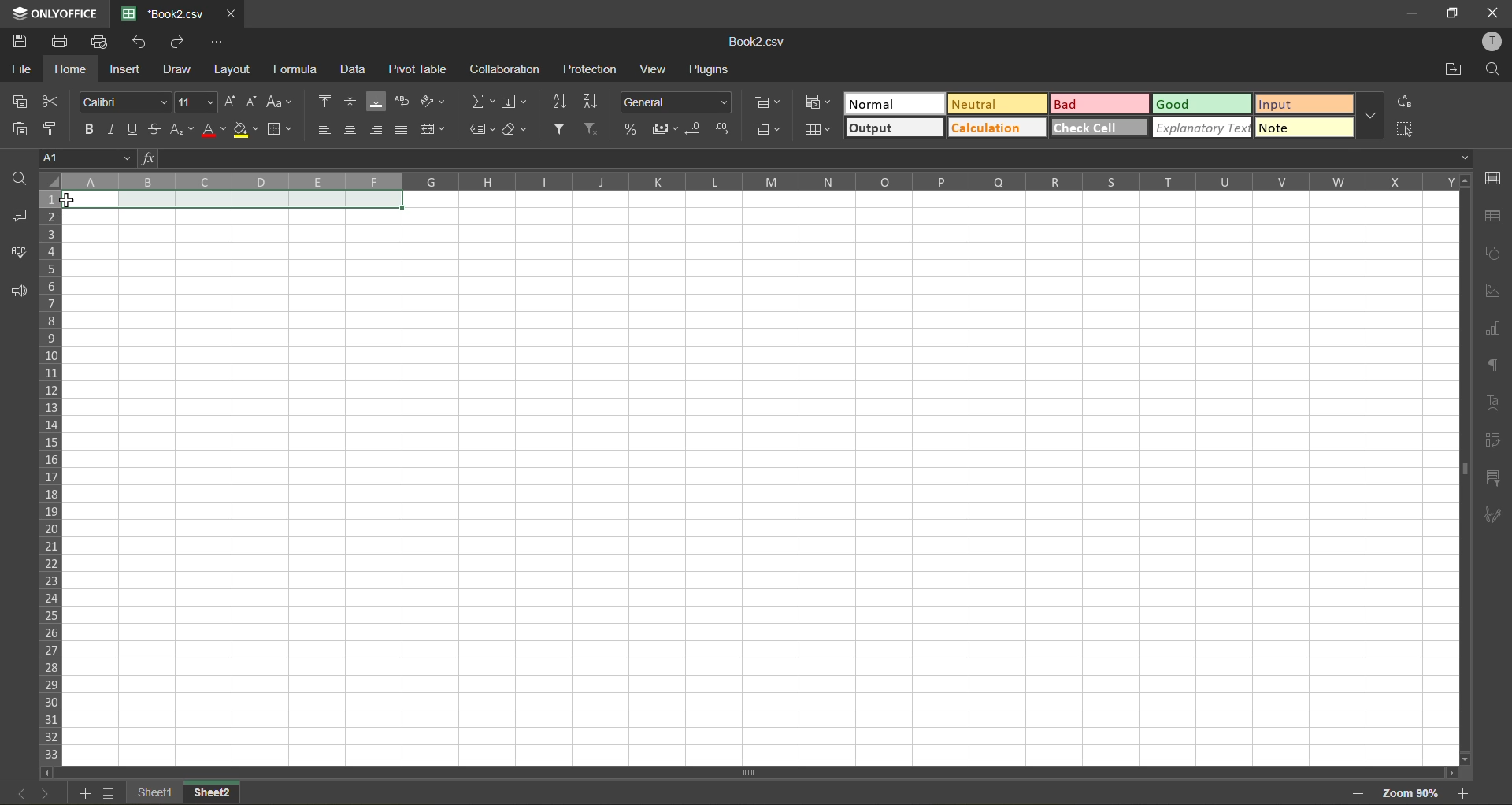 Image resolution: width=1512 pixels, height=805 pixels. Describe the element at coordinates (178, 71) in the screenshot. I see `draw` at that location.